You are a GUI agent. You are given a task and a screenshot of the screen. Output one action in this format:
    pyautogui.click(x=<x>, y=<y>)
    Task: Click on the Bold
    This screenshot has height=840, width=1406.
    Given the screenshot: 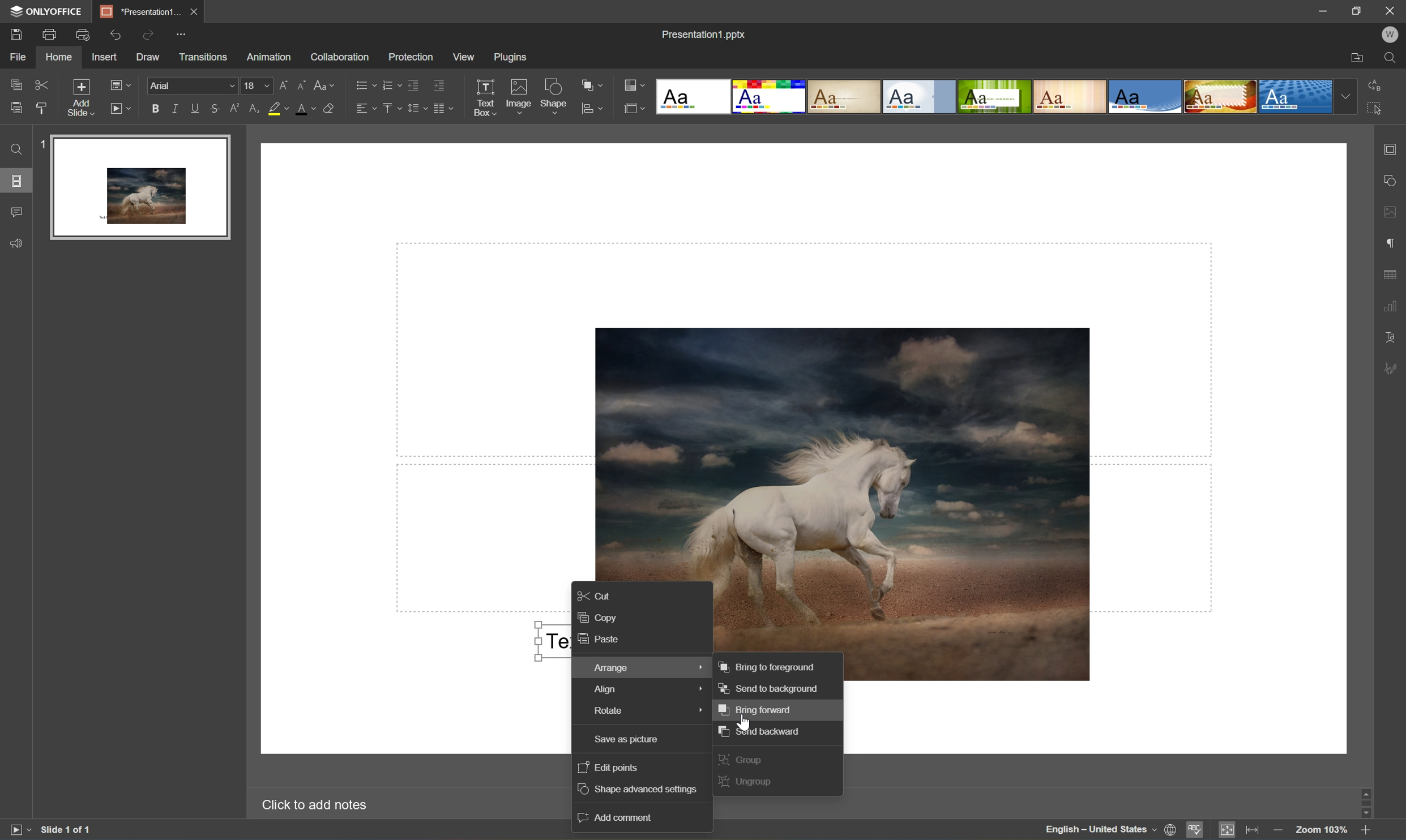 What is the action you would take?
    pyautogui.click(x=154, y=109)
    